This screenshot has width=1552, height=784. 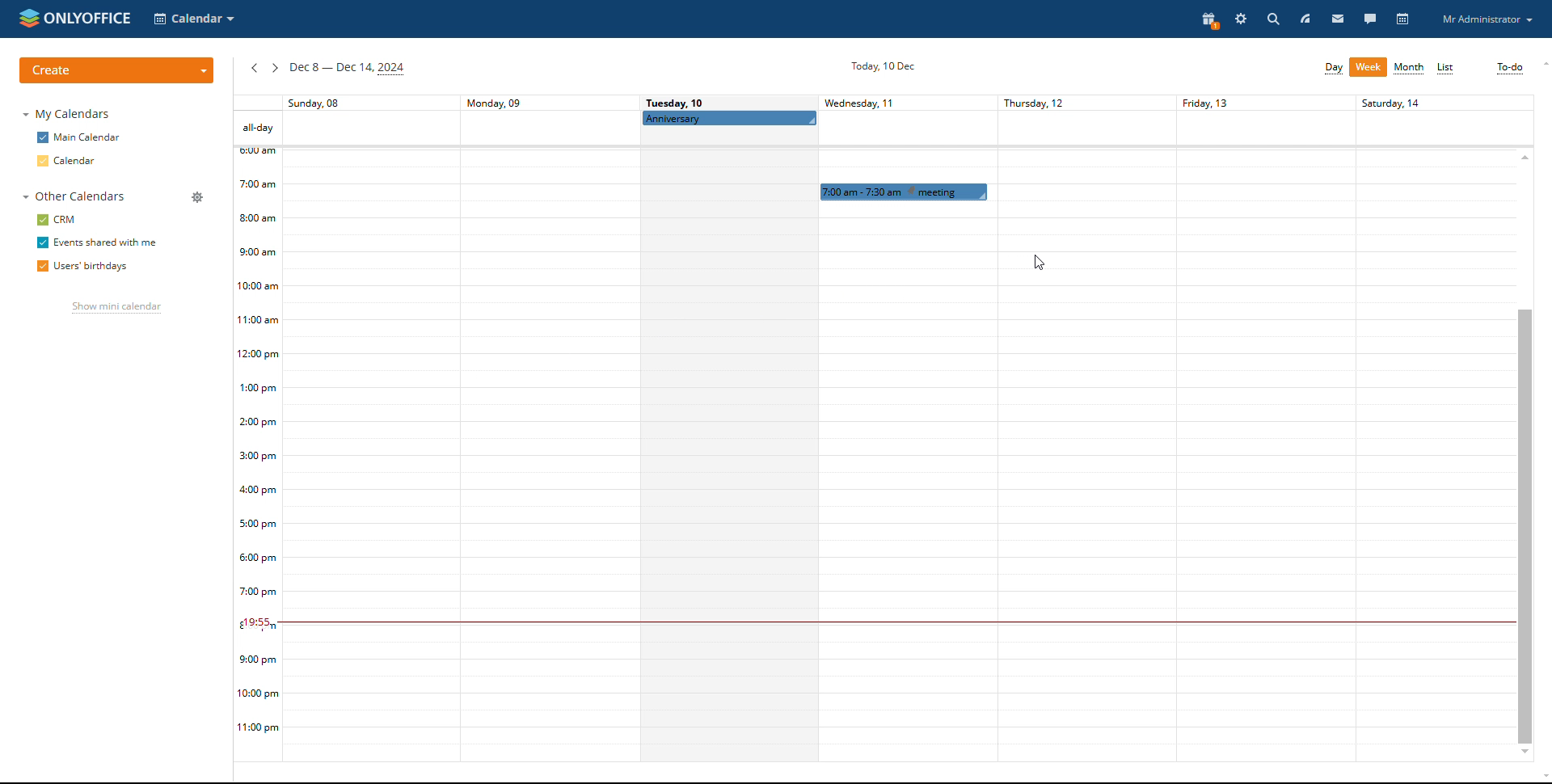 I want to click on scroll up, so click(x=1542, y=64).